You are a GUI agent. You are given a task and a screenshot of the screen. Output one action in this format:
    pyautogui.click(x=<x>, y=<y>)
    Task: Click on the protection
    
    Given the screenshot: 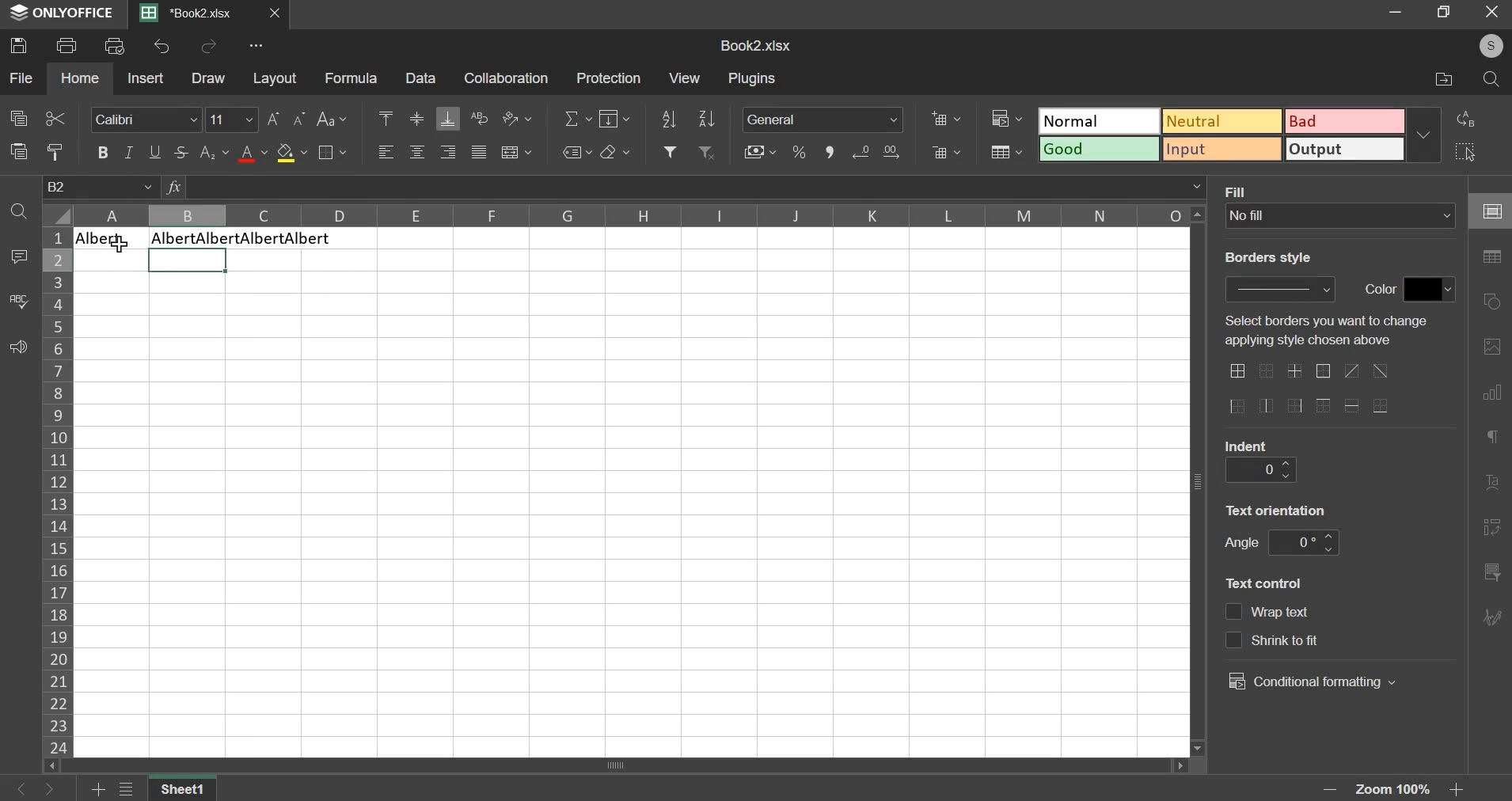 What is the action you would take?
    pyautogui.click(x=609, y=77)
    